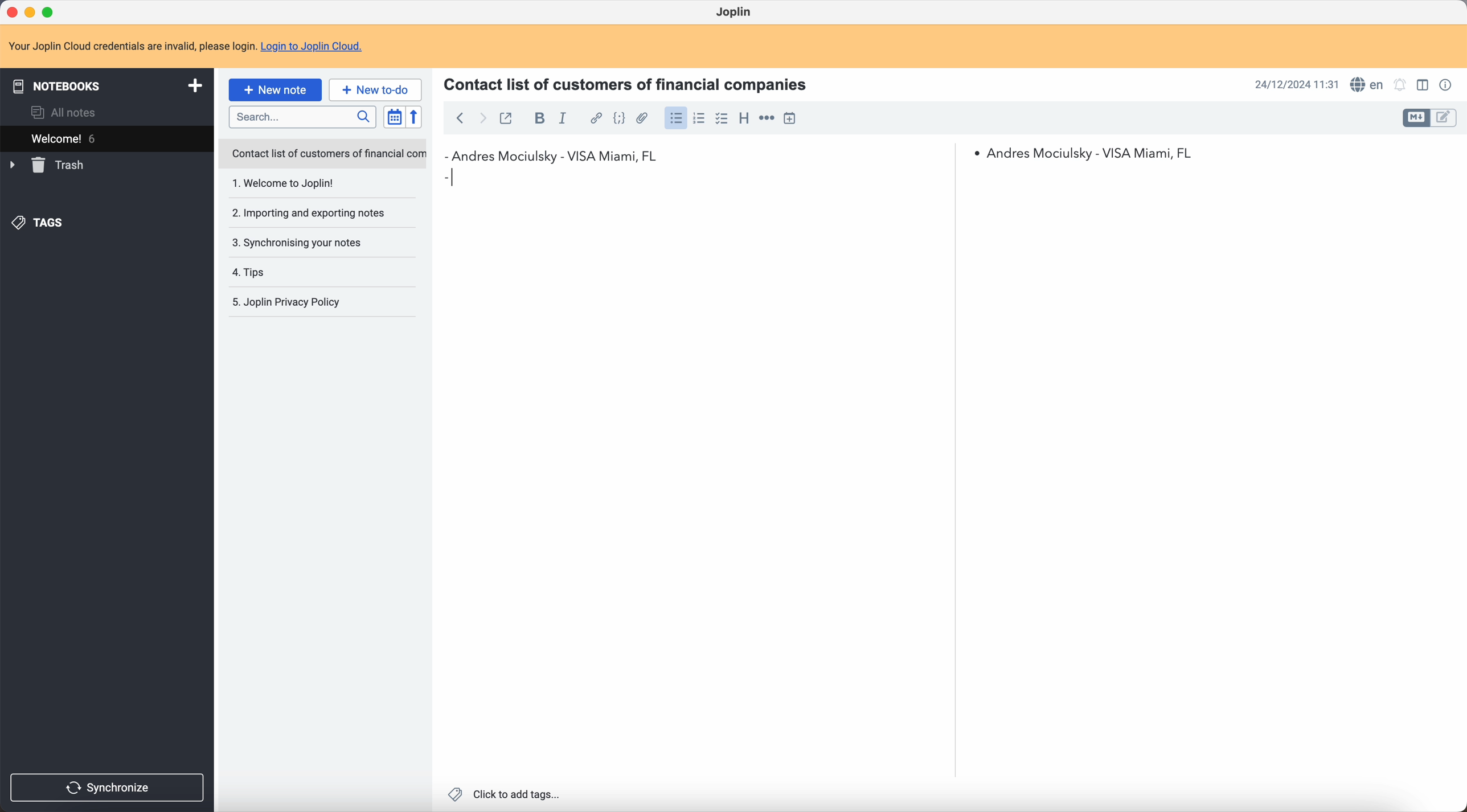  Describe the element at coordinates (483, 119) in the screenshot. I see `foward` at that location.